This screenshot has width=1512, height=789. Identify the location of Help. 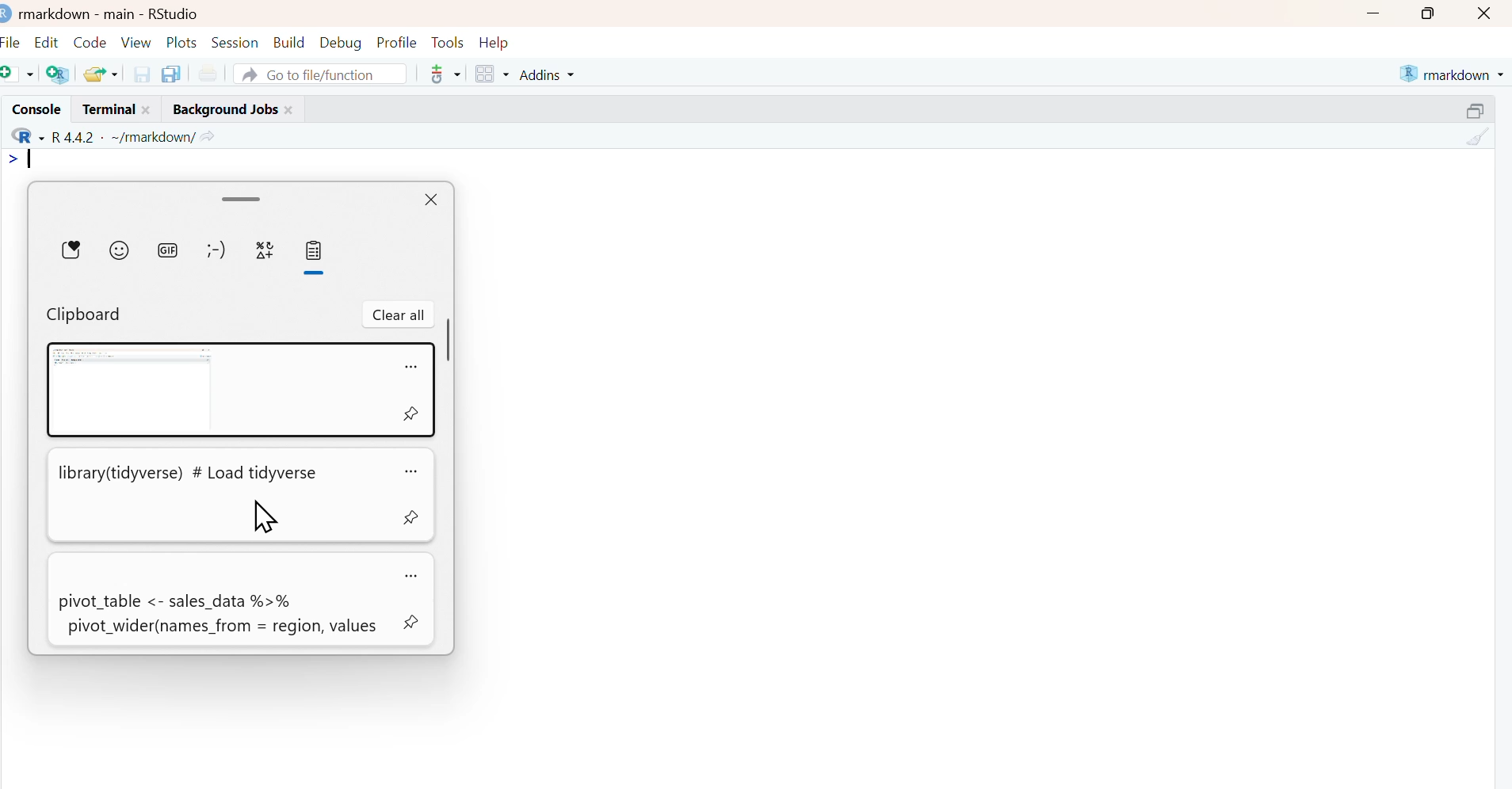
(499, 41).